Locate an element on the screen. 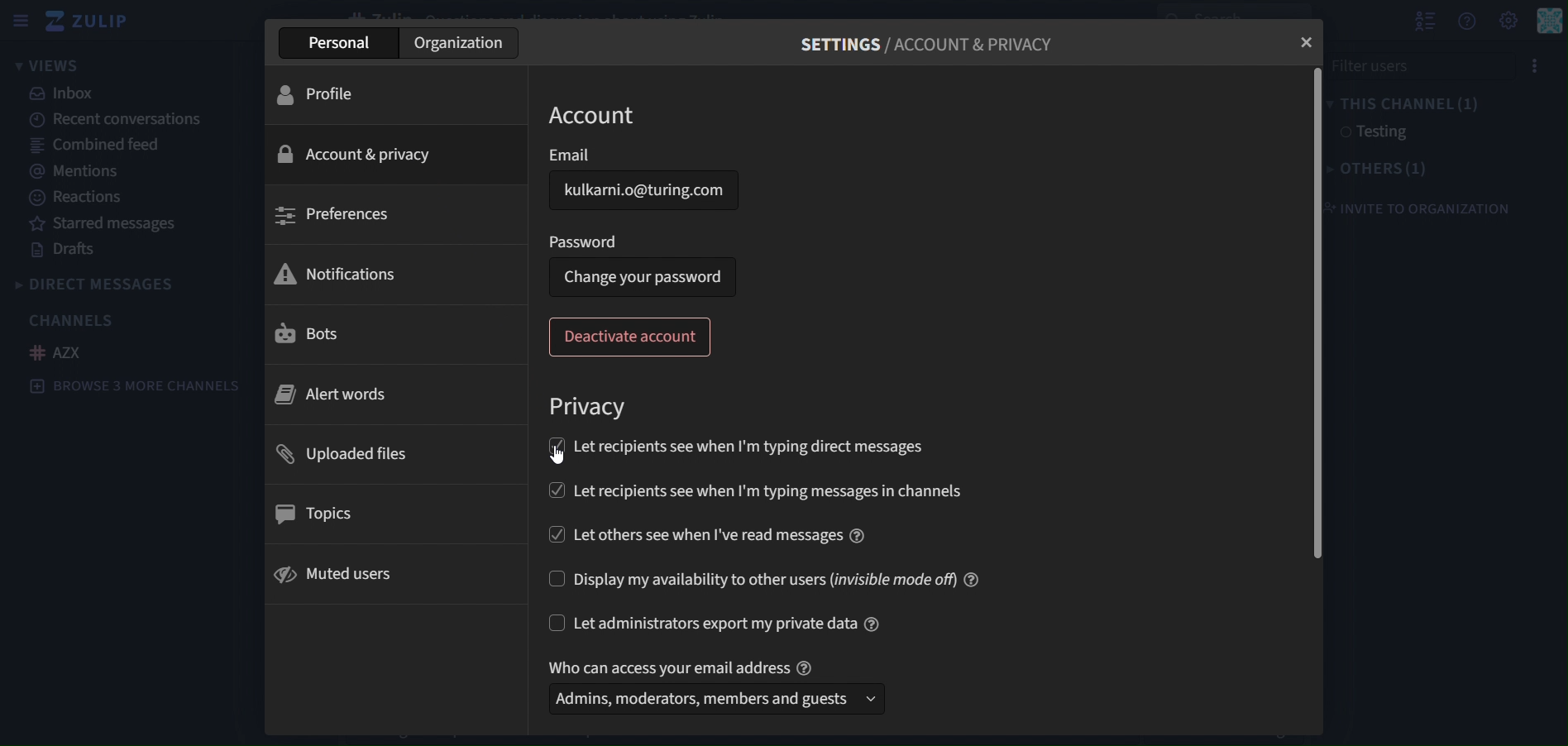 This screenshot has height=746, width=1568. filter users is located at coordinates (1426, 65).